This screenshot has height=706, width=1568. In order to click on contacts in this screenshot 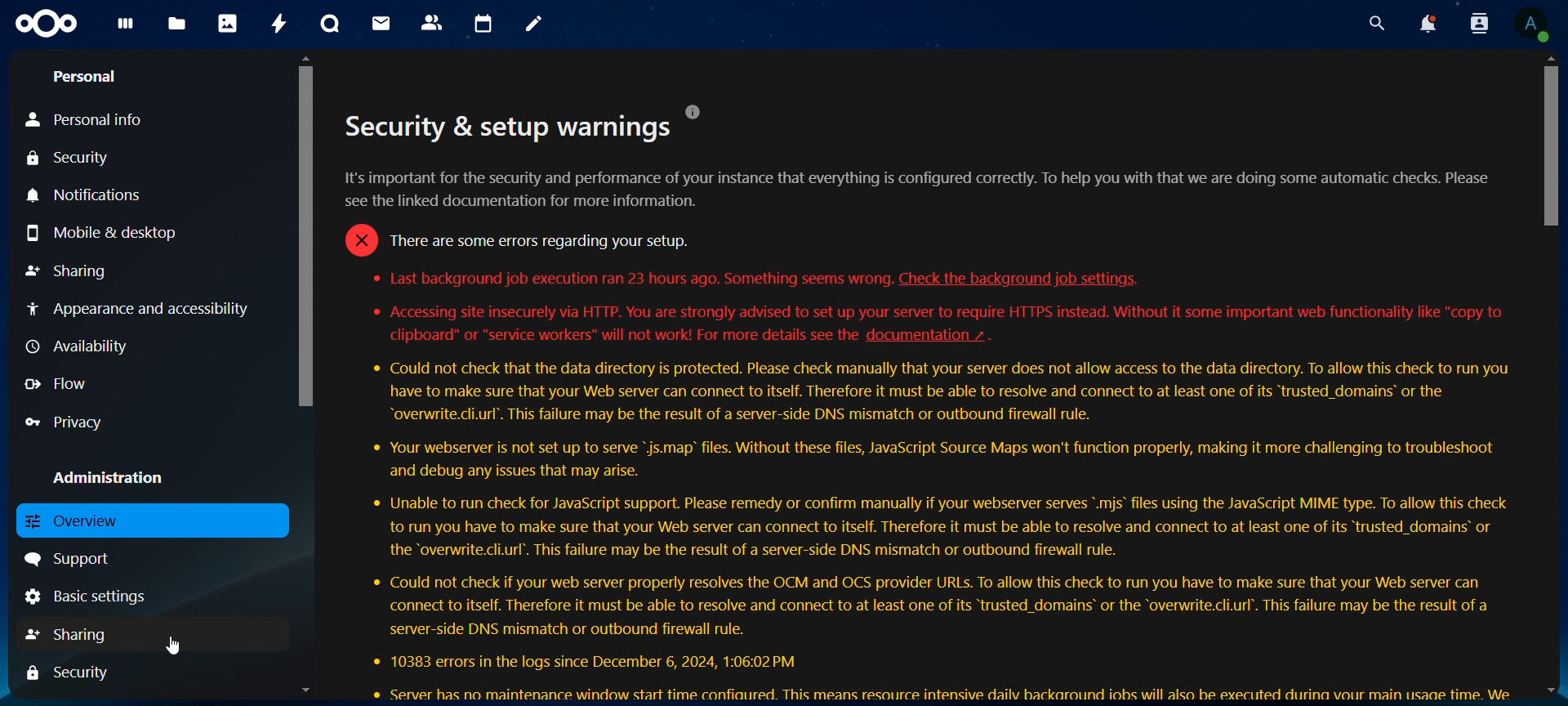, I will do `click(431, 22)`.